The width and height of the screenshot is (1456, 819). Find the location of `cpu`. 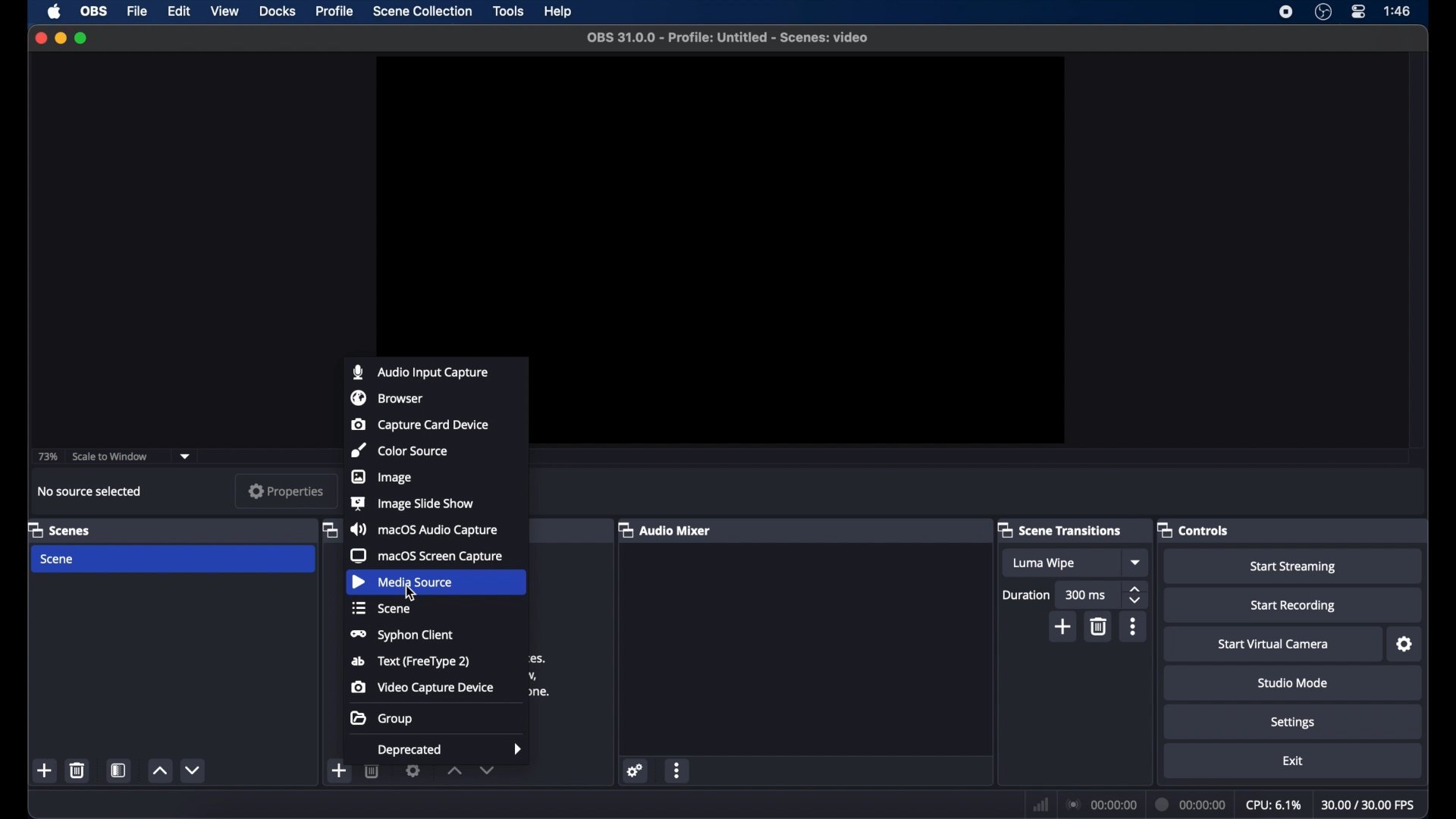

cpu is located at coordinates (1274, 805).